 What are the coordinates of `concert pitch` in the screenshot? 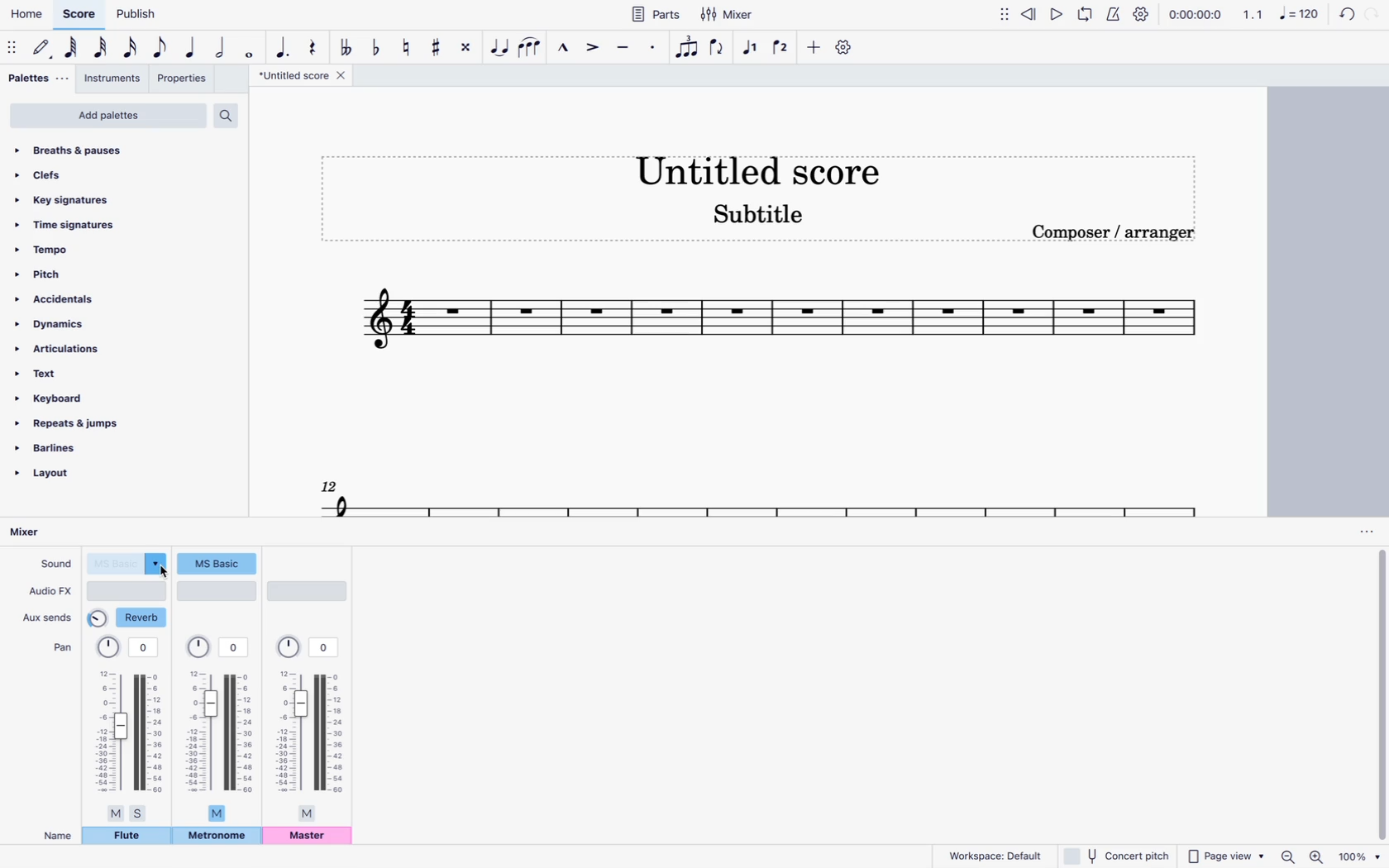 It's located at (1115, 855).